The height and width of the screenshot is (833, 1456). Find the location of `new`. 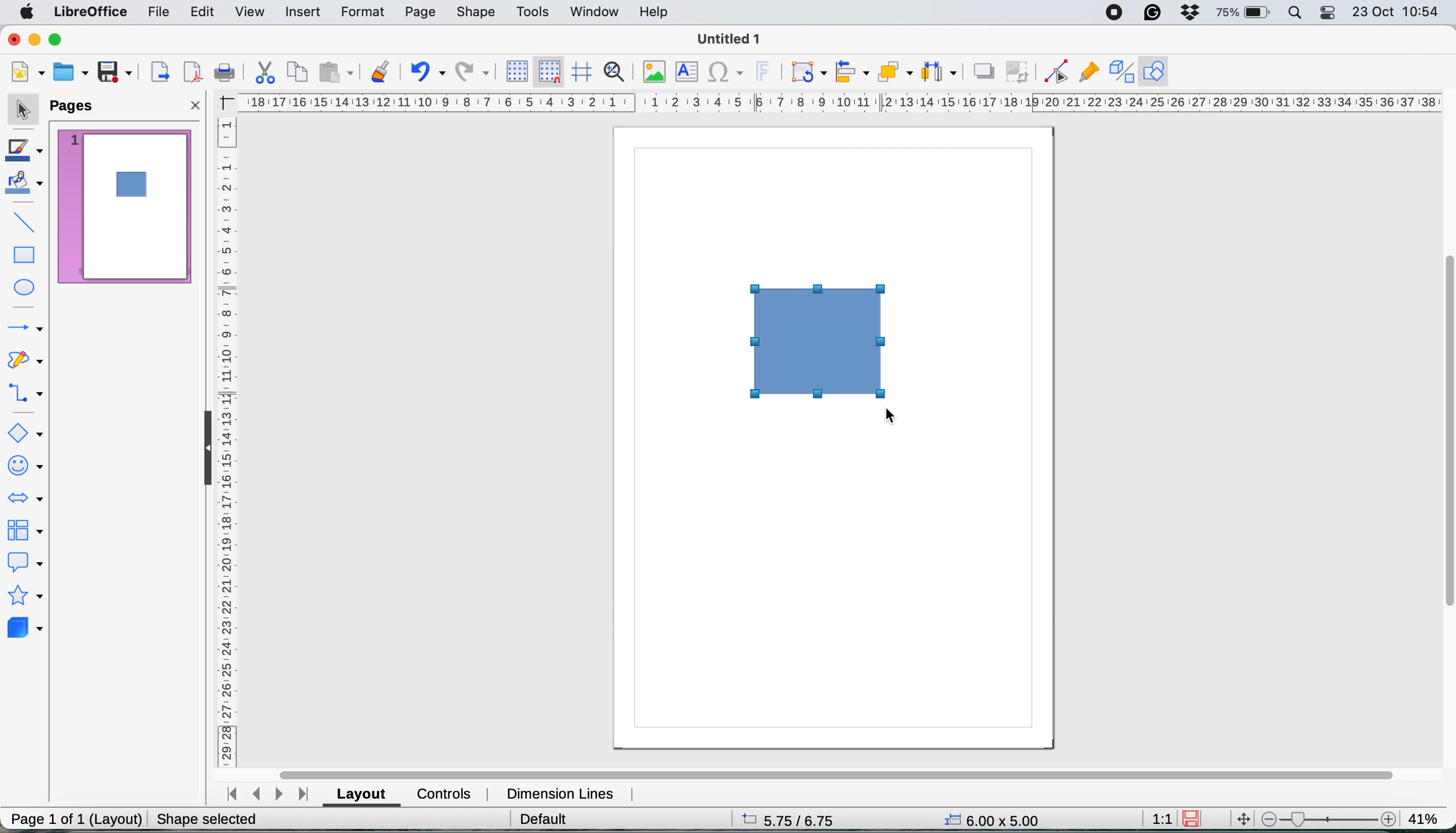

new is located at coordinates (29, 72).